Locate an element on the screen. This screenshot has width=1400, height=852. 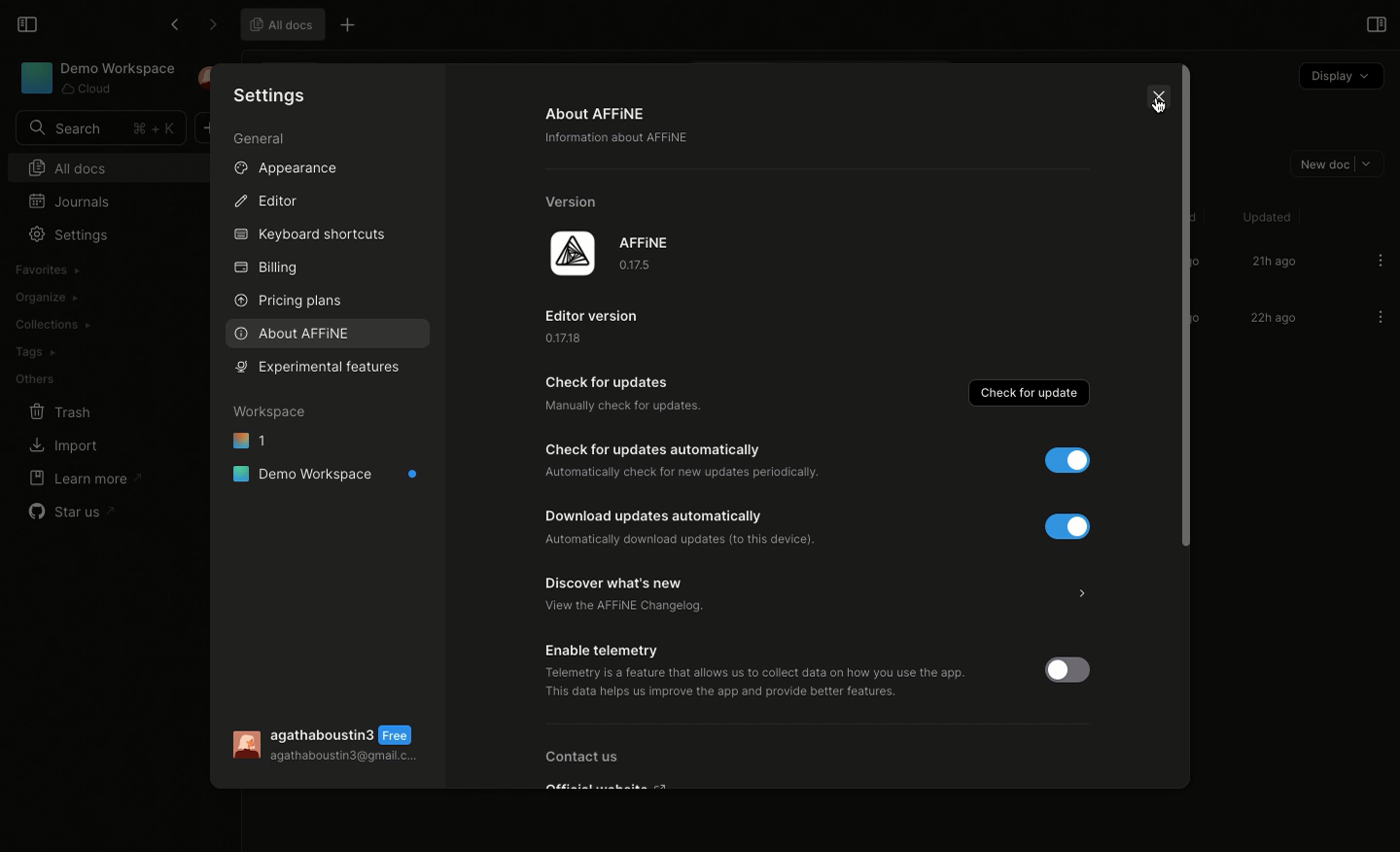
Display is located at coordinates (1340, 77).